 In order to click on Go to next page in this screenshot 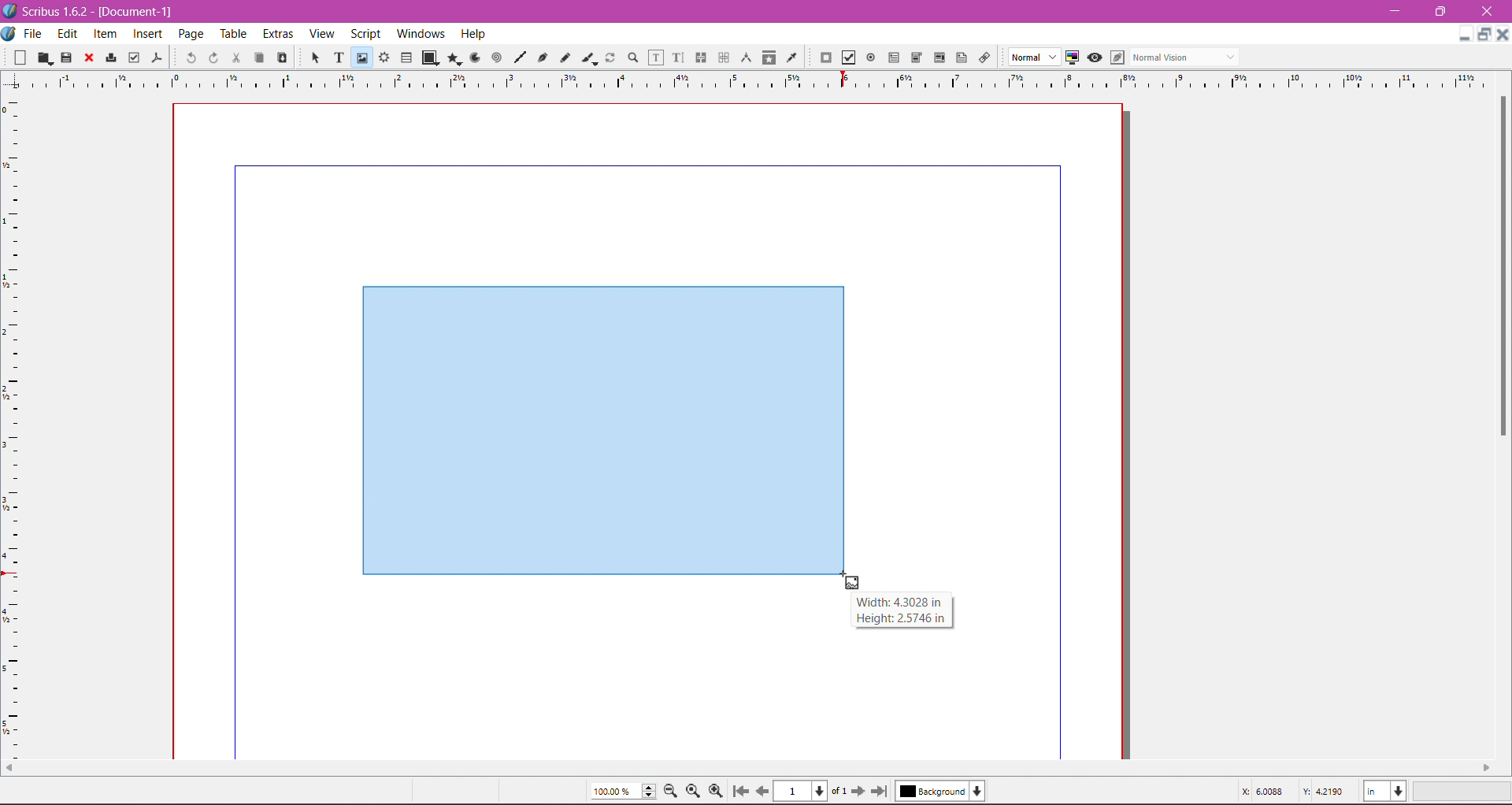, I will do `click(861, 792)`.